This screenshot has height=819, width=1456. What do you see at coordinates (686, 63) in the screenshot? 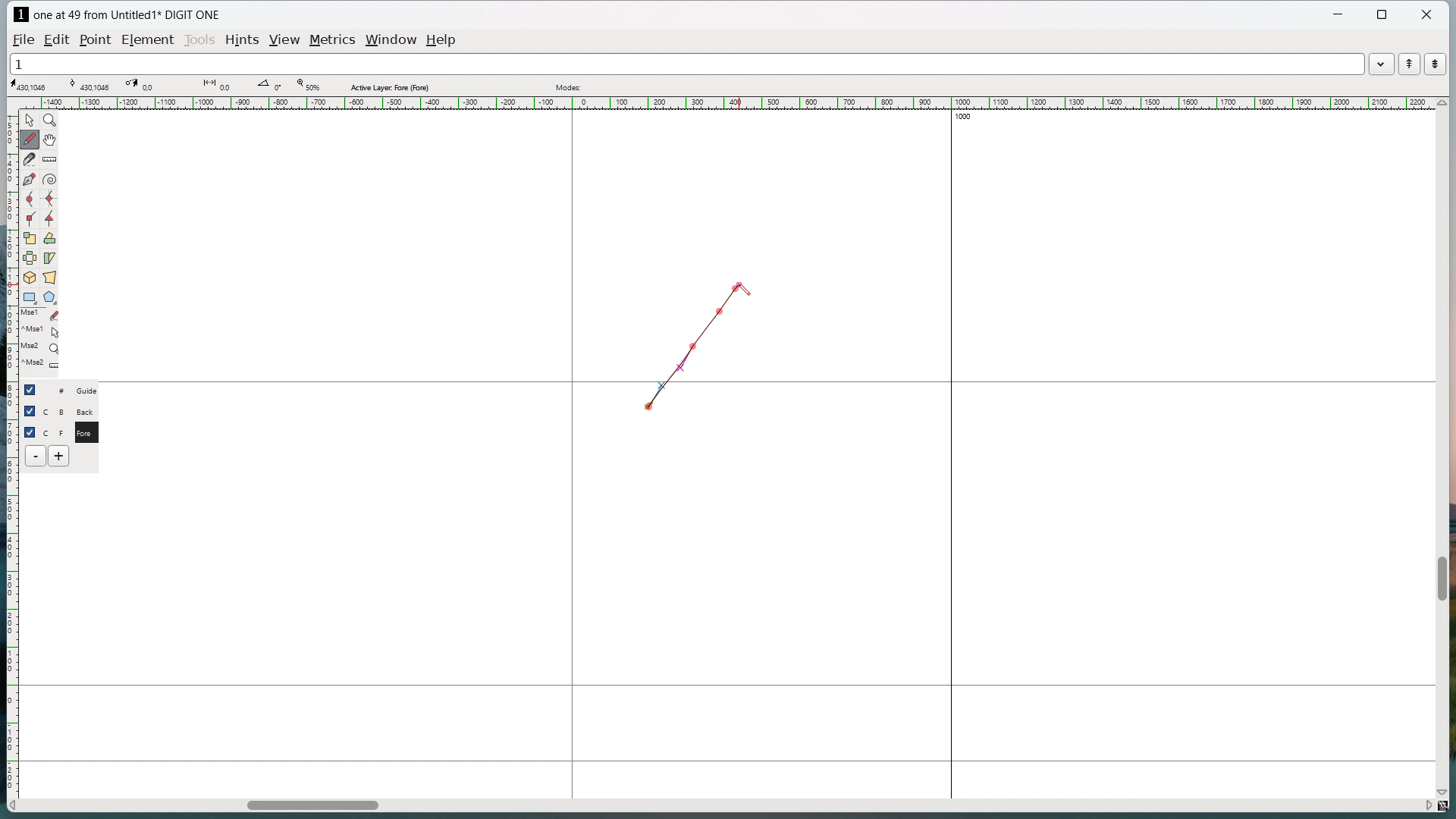
I see `1` at bounding box center [686, 63].